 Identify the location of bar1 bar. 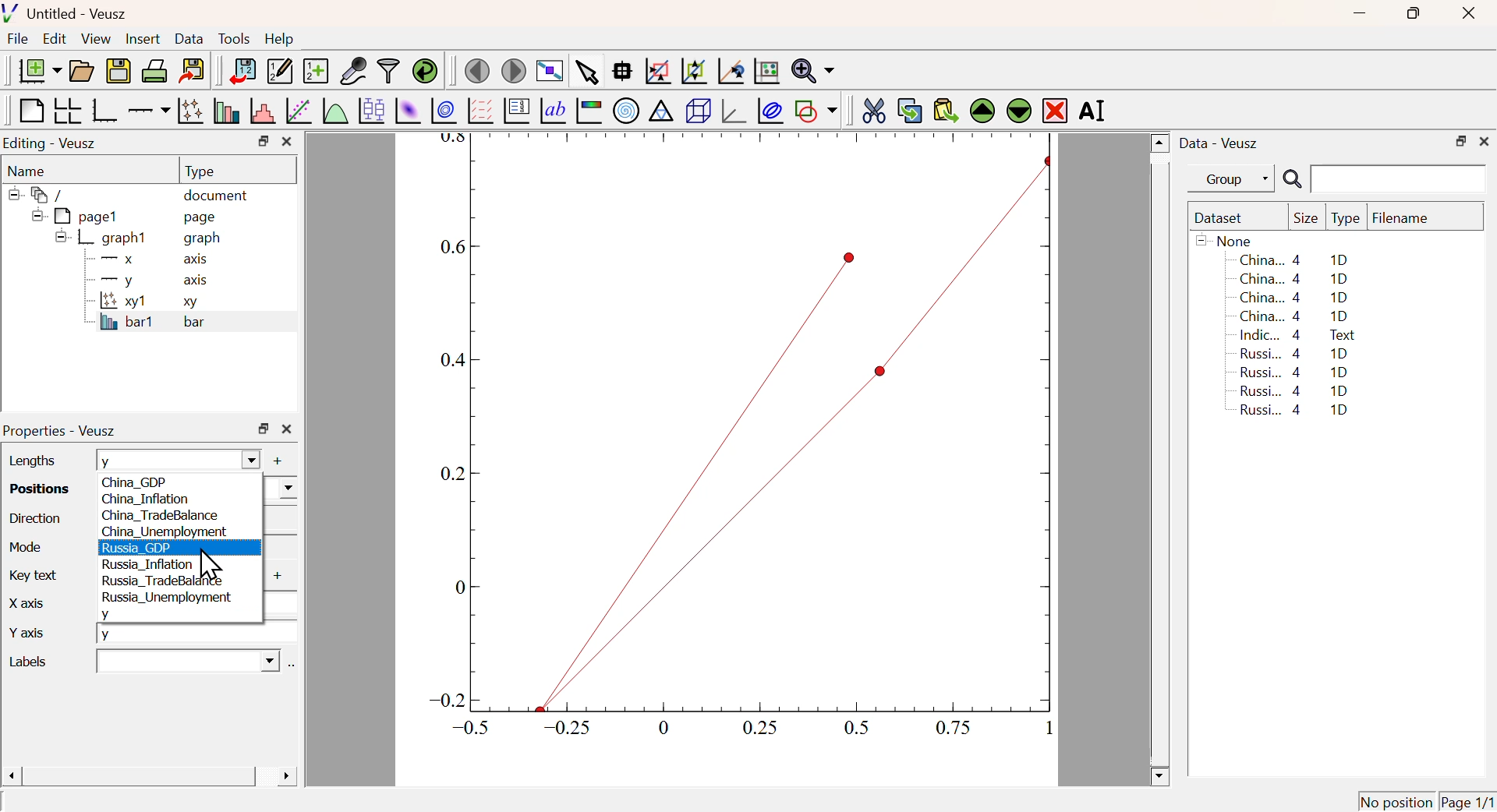
(145, 324).